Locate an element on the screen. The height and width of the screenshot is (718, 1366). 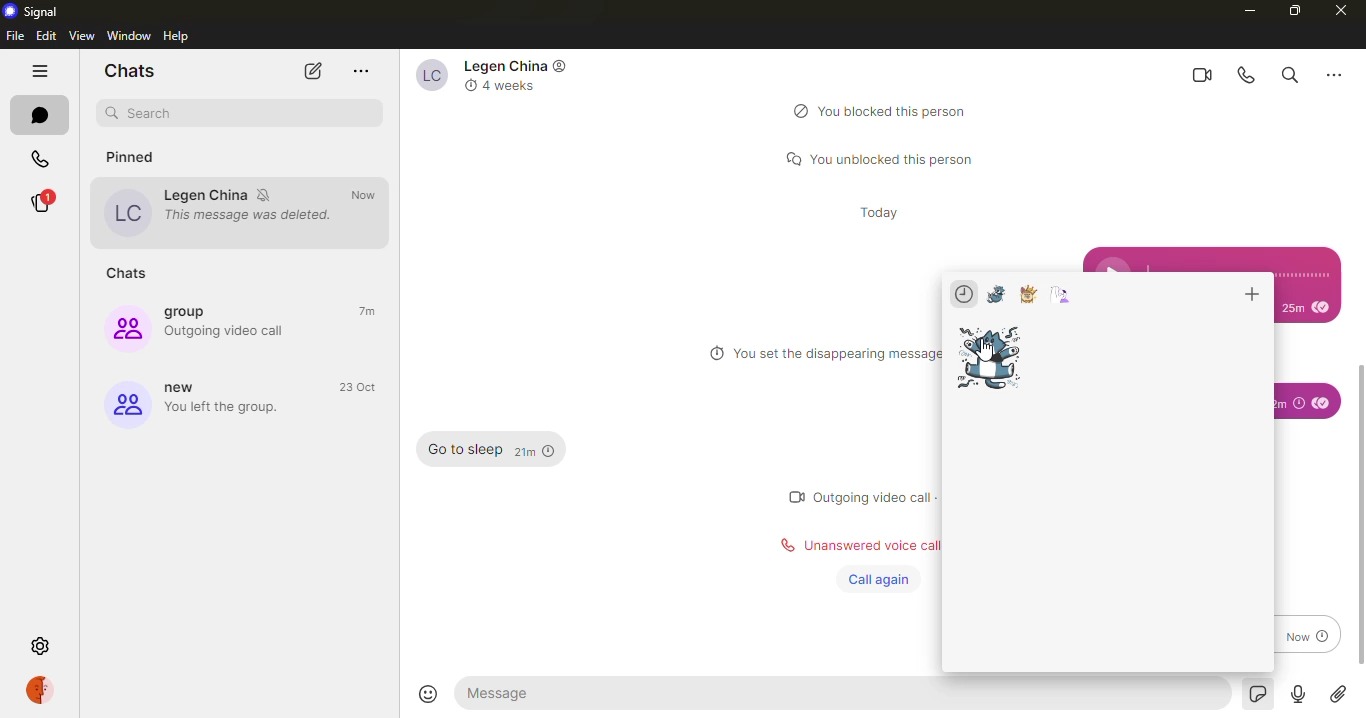
23 oct is located at coordinates (357, 386).